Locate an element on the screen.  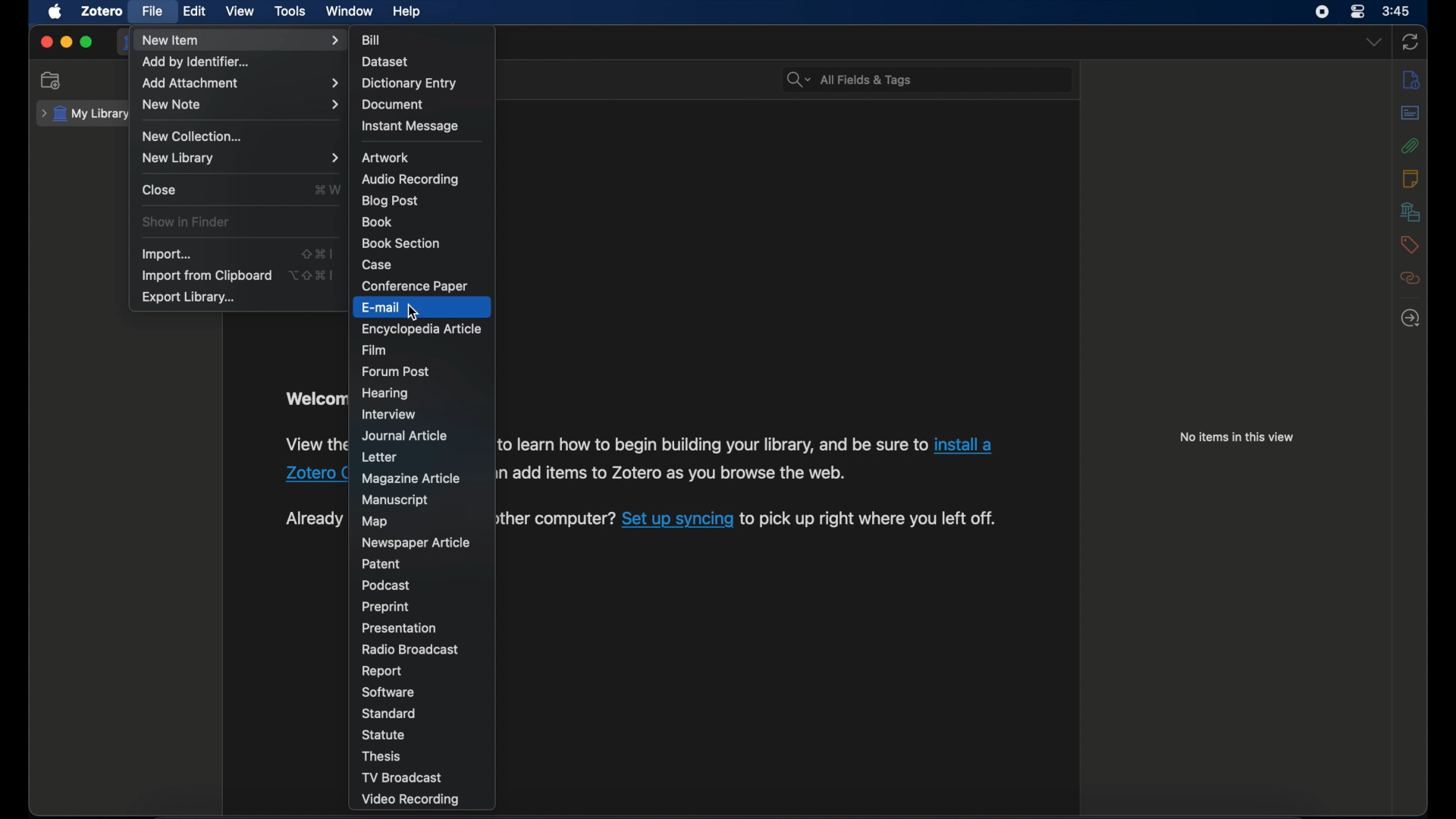
notes is located at coordinates (1410, 179).